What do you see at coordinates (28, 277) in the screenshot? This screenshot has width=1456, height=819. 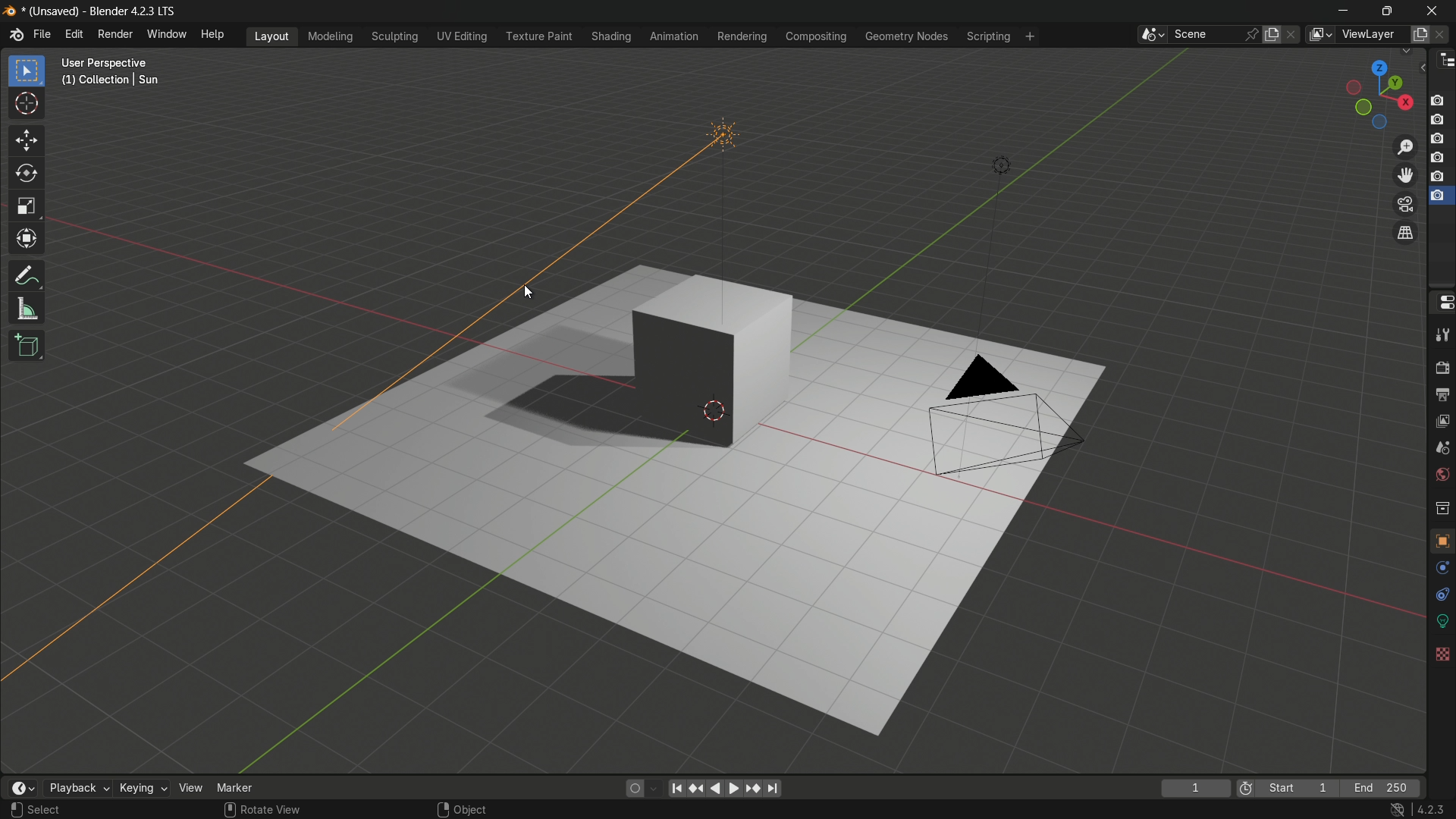 I see `annotate` at bounding box center [28, 277].